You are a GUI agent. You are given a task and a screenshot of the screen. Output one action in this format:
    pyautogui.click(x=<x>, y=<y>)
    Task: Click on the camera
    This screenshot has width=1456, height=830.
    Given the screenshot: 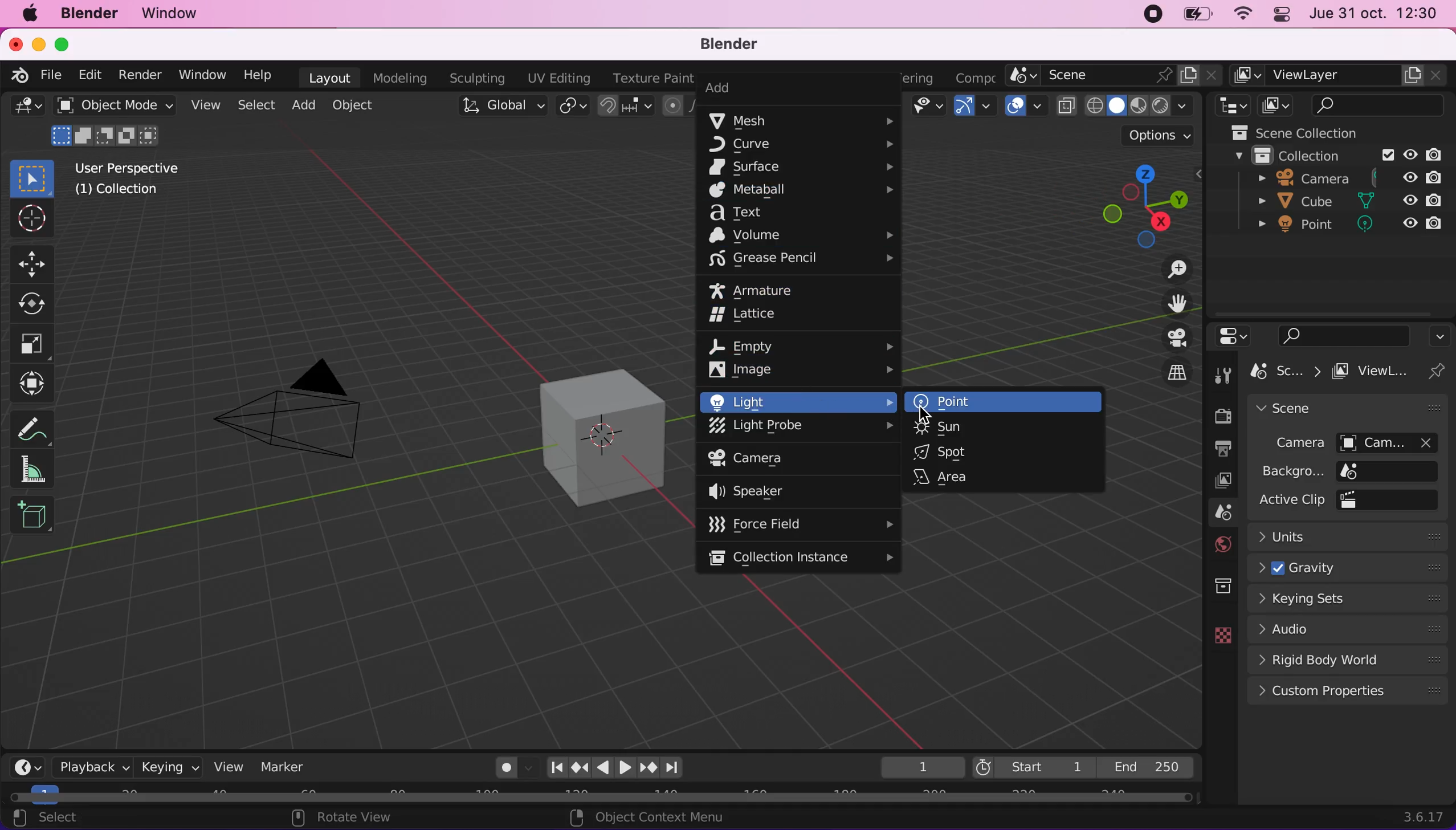 What is the action you would take?
    pyautogui.click(x=1287, y=178)
    